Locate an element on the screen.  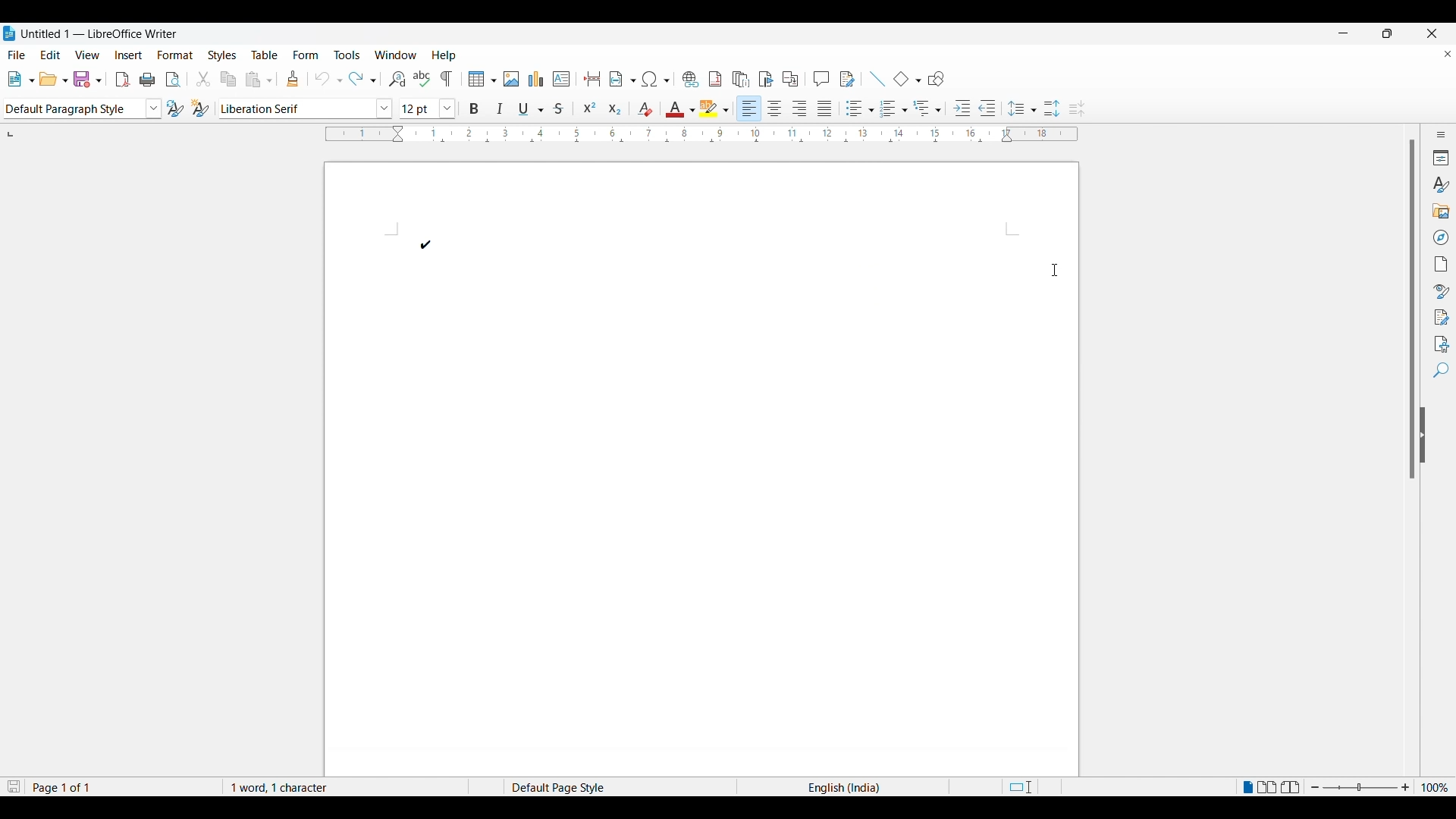
insert footnote is located at coordinates (717, 79).